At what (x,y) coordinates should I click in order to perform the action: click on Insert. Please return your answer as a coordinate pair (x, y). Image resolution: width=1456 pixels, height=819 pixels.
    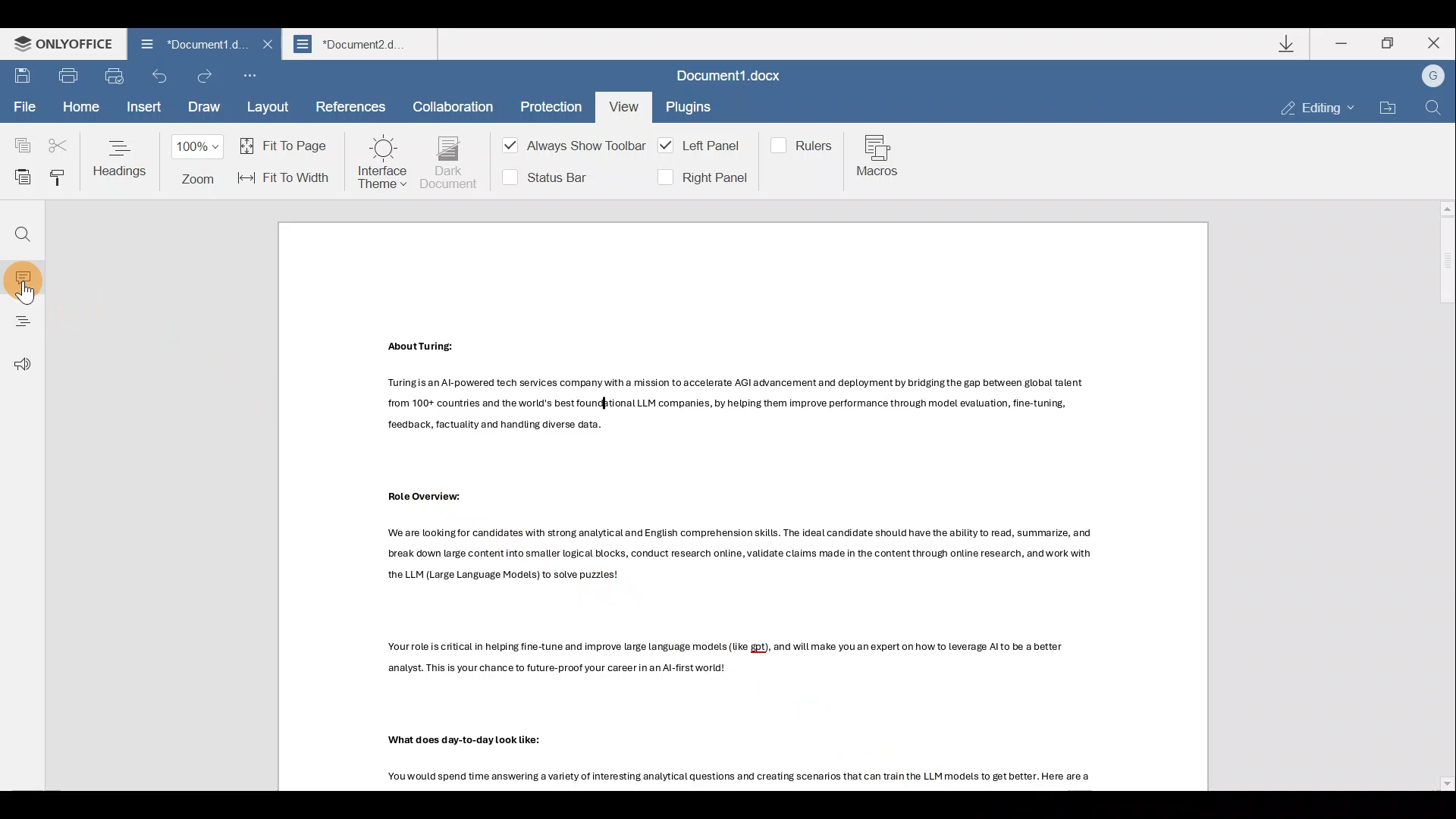
    Looking at the image, I should click on (142, 109).